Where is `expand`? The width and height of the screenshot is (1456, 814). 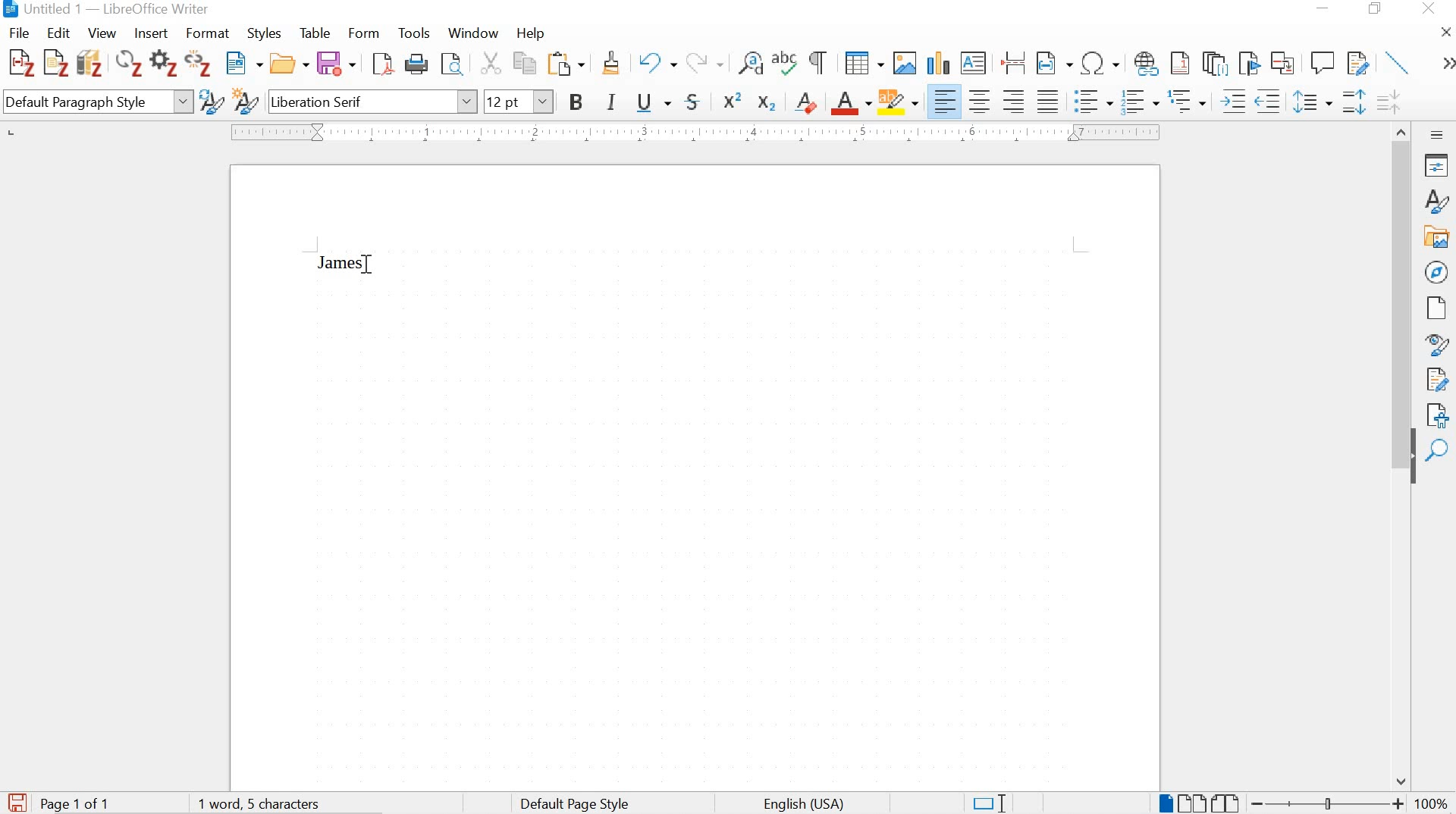
expand is located at coordinates (1445, 64).